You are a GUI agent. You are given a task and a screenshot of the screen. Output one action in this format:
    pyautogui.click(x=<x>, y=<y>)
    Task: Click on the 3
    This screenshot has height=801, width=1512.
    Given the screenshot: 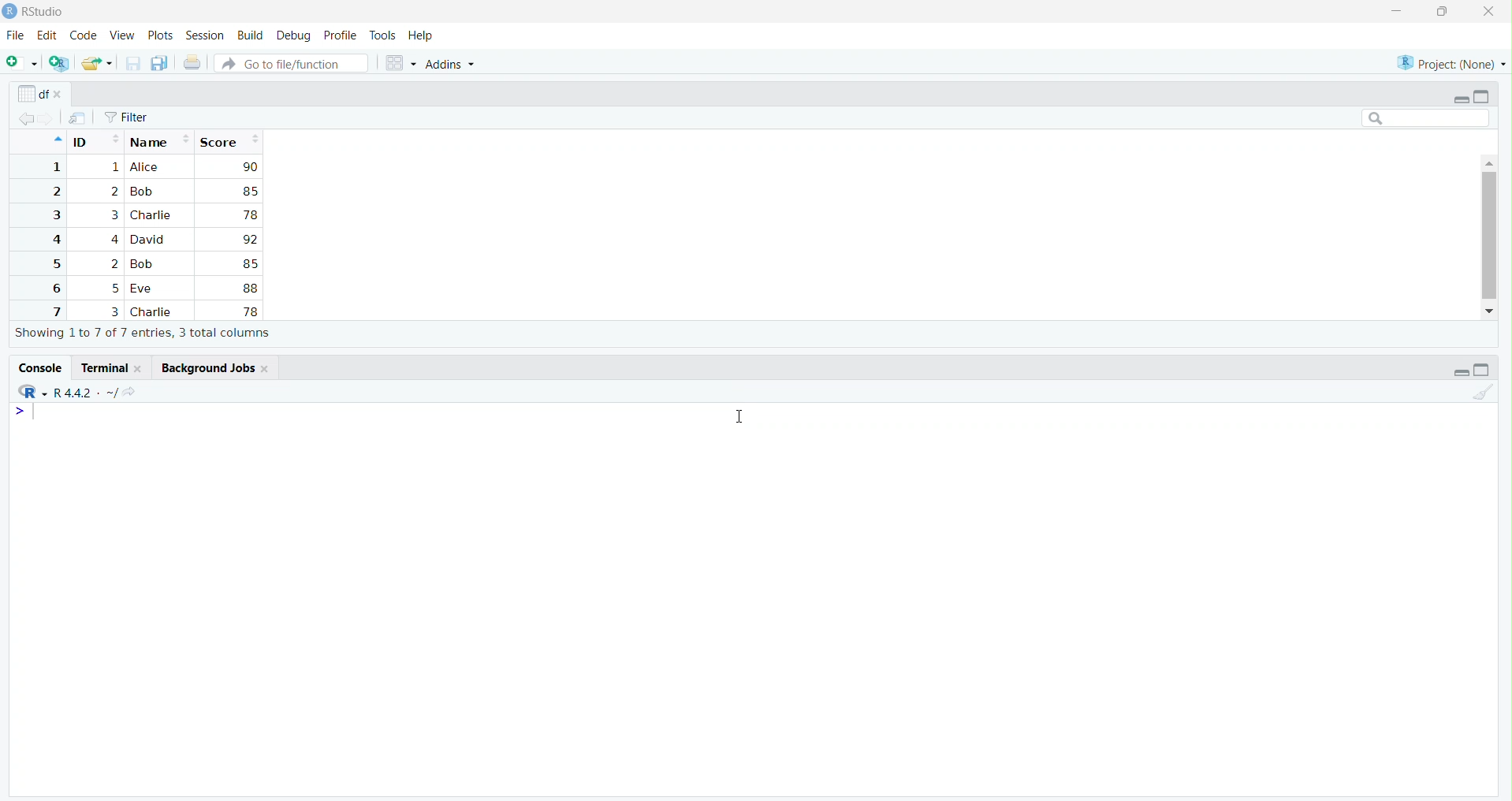 What is the action you would take?
    pyautogui.click(x=114, y=311)
    